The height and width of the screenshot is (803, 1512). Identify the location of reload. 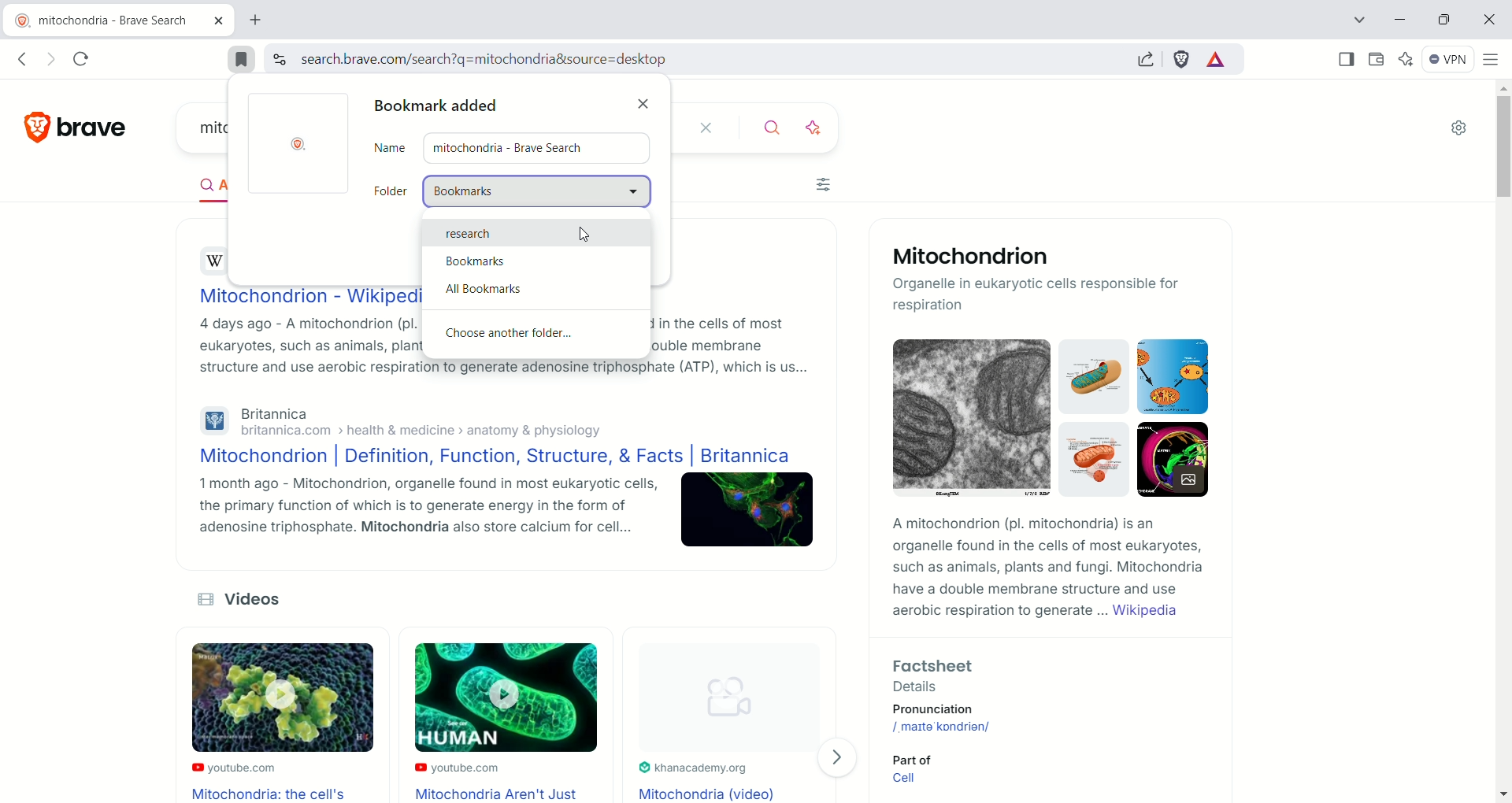
(83, 57).